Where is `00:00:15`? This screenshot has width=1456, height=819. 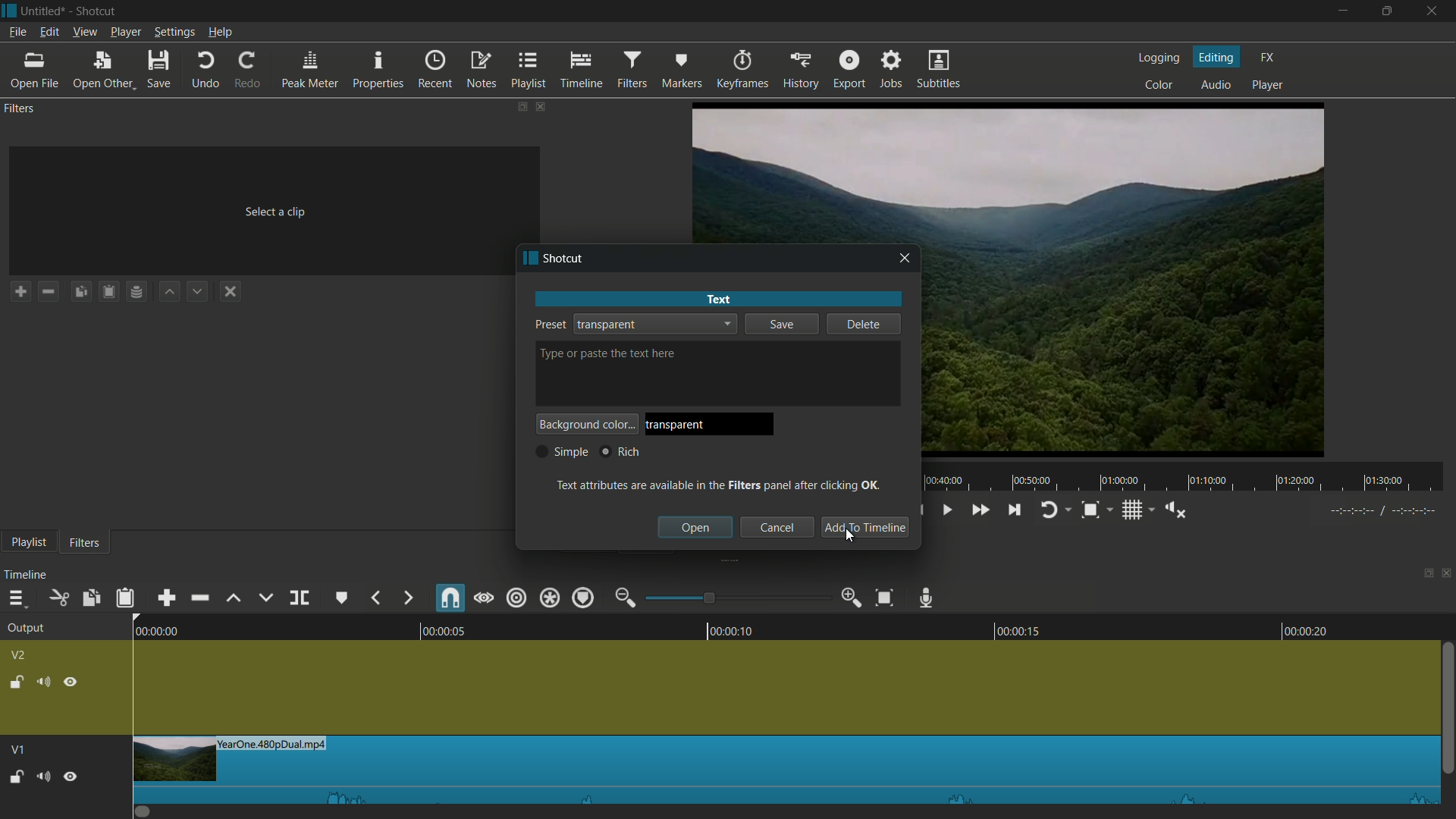
00:00:15 is located at coordinates (1010, 628).